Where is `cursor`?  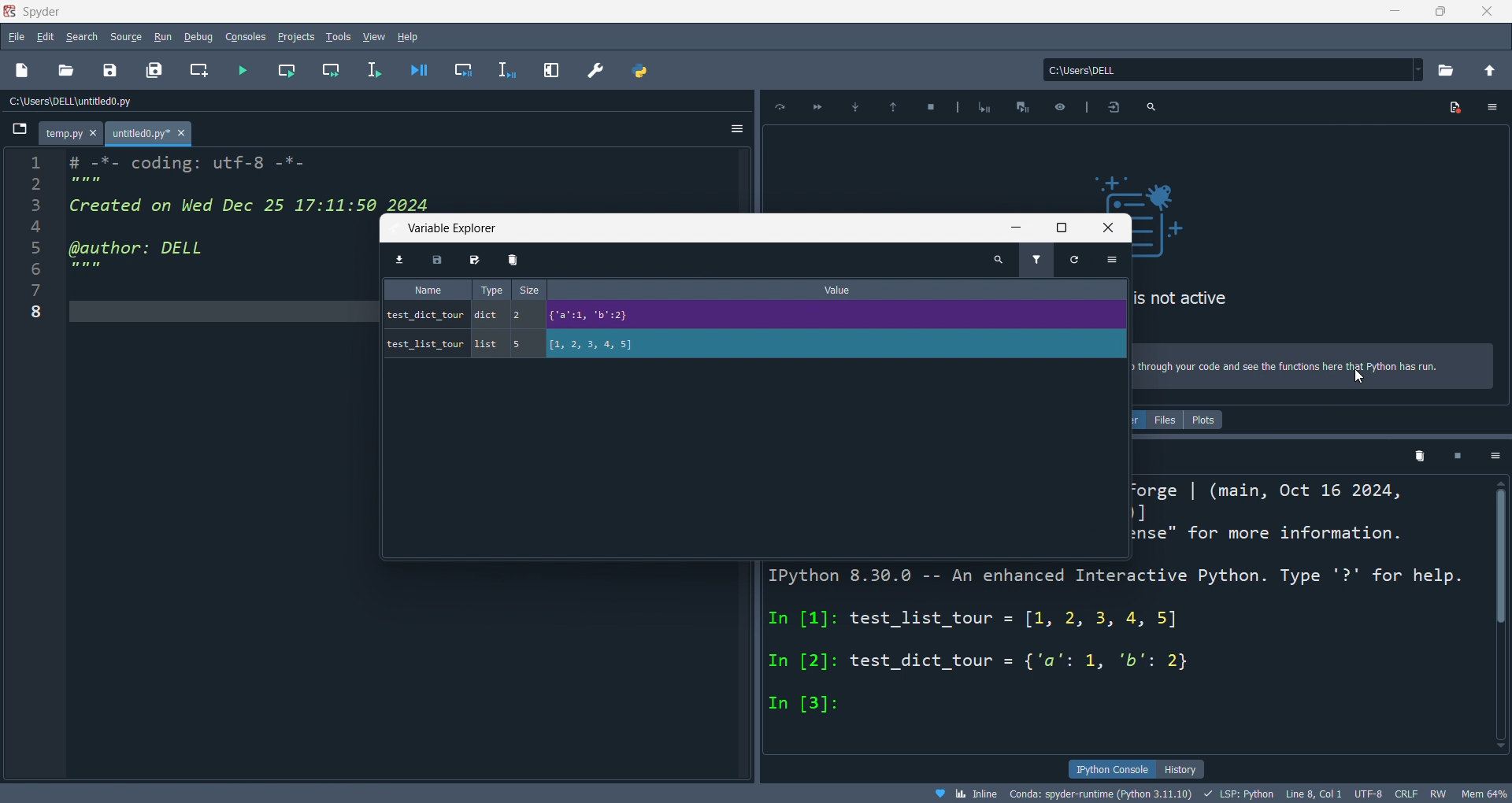 cursor is located at coordinates (1356, 376).